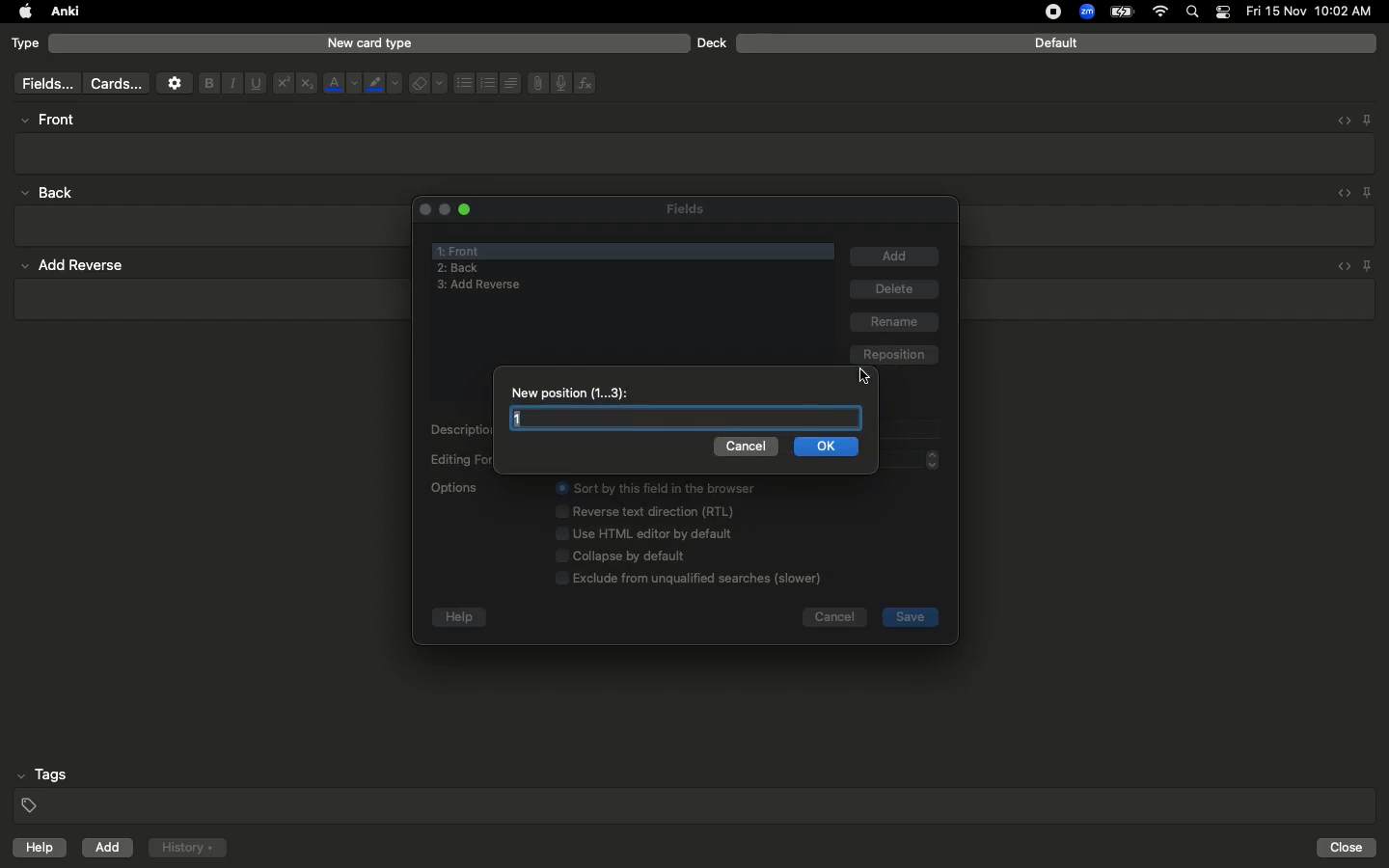 Image resolution: width=1389 pixels, height=868 pixels. What do you see at coordinates (911, 617) in the screenshot?
I see `save` at bounding box center [911, 617].